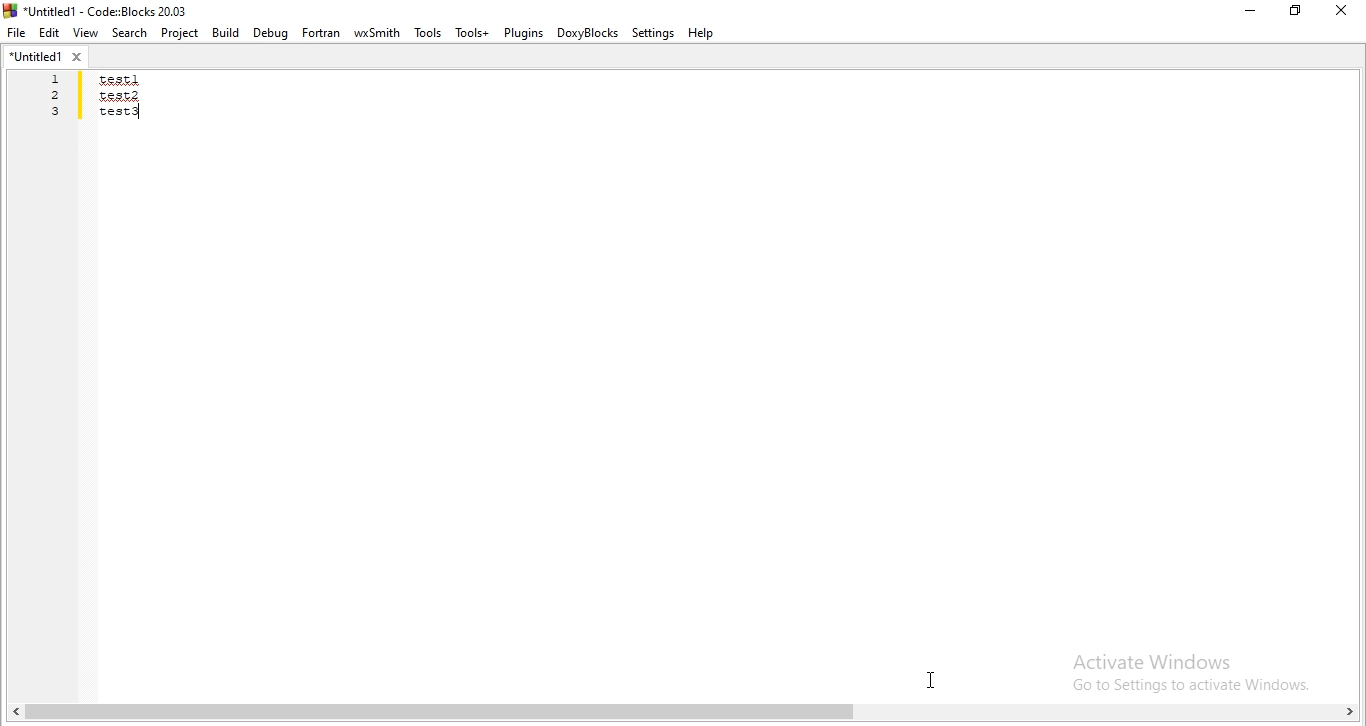 This screenshot has height=726, width=1366. I want to click on untitled, so click(46, 56).